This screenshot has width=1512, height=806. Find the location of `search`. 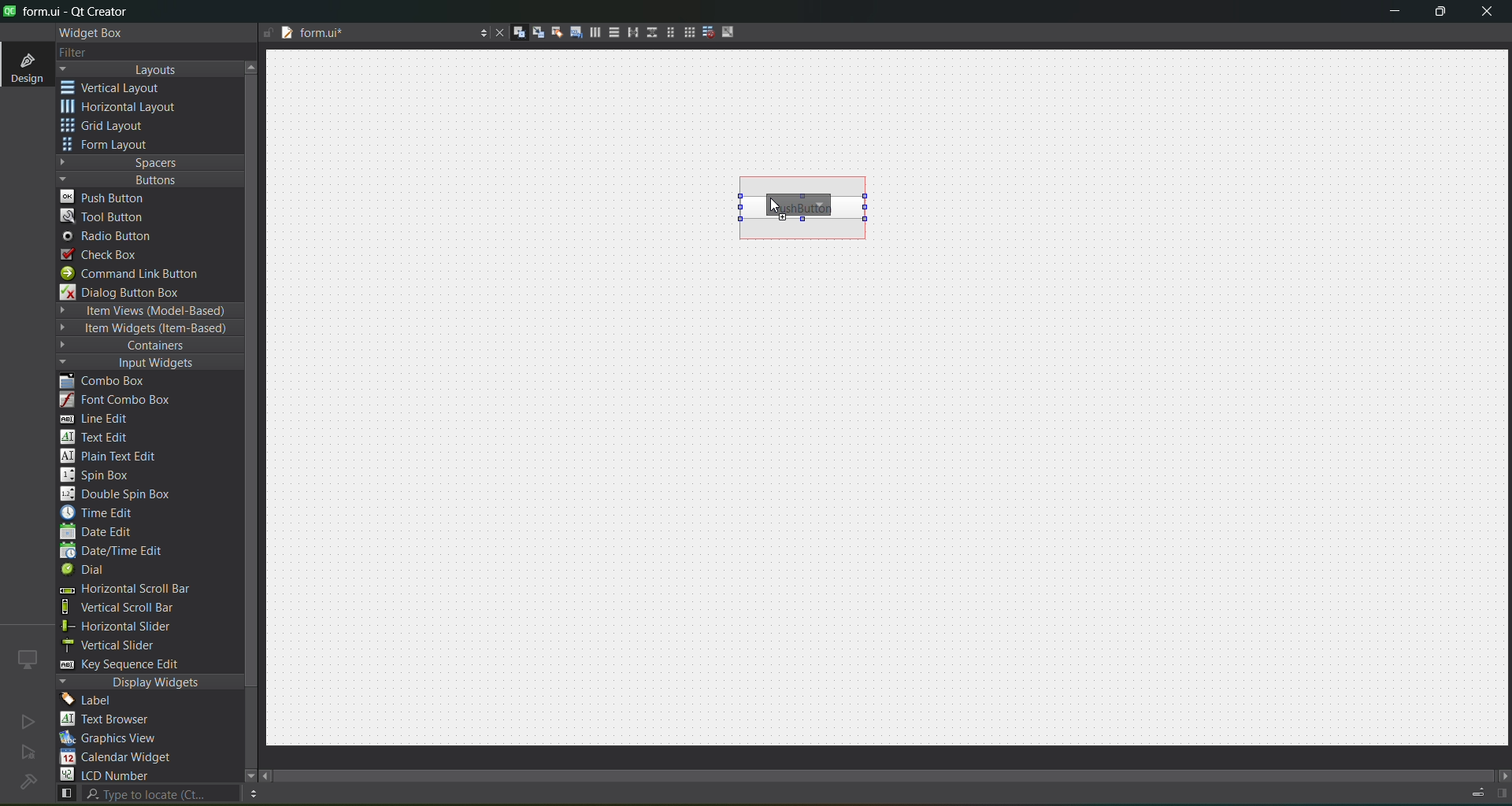

search is located at coordinates (146, 794).